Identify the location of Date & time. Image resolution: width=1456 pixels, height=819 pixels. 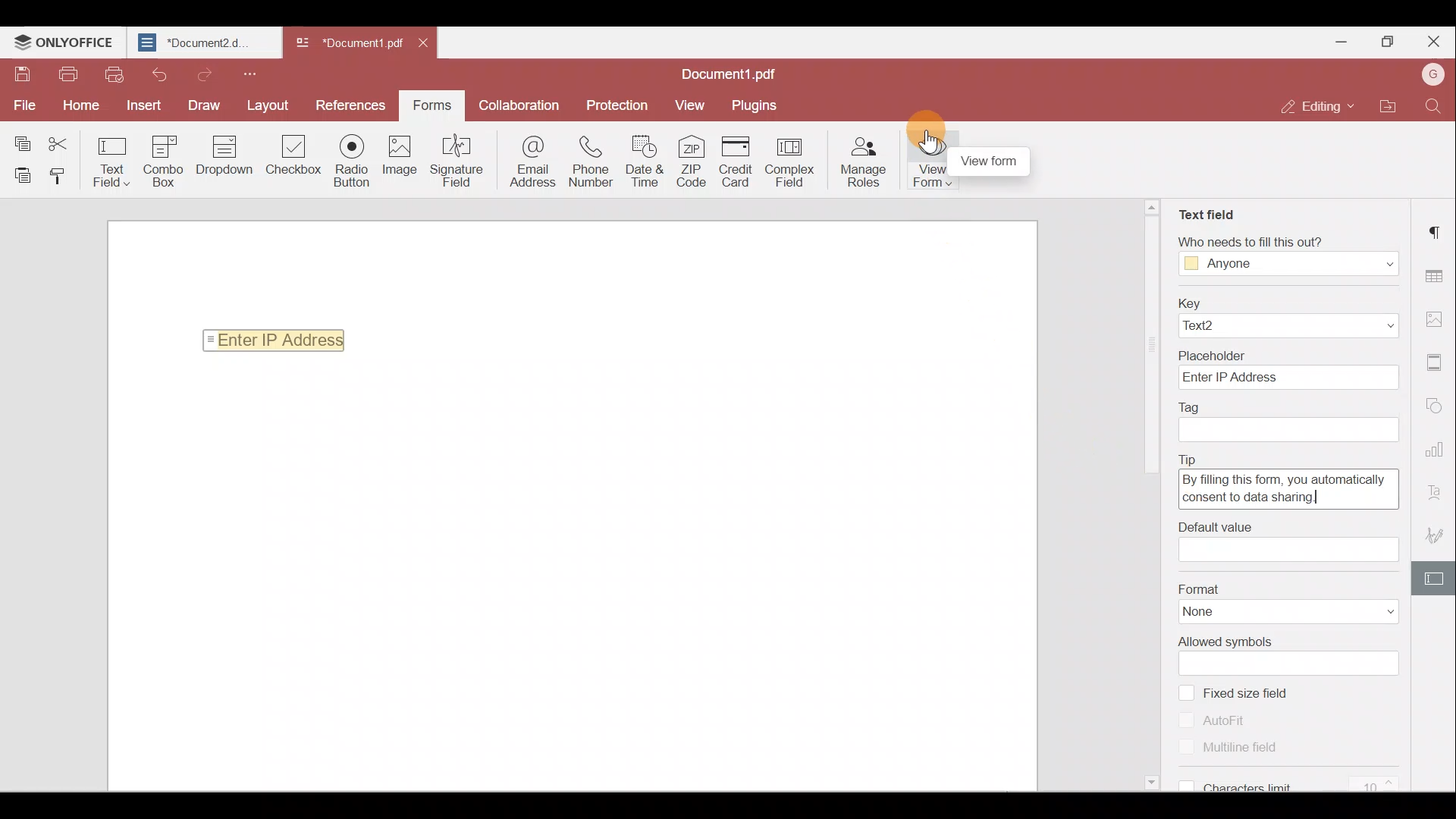
(645, 165).